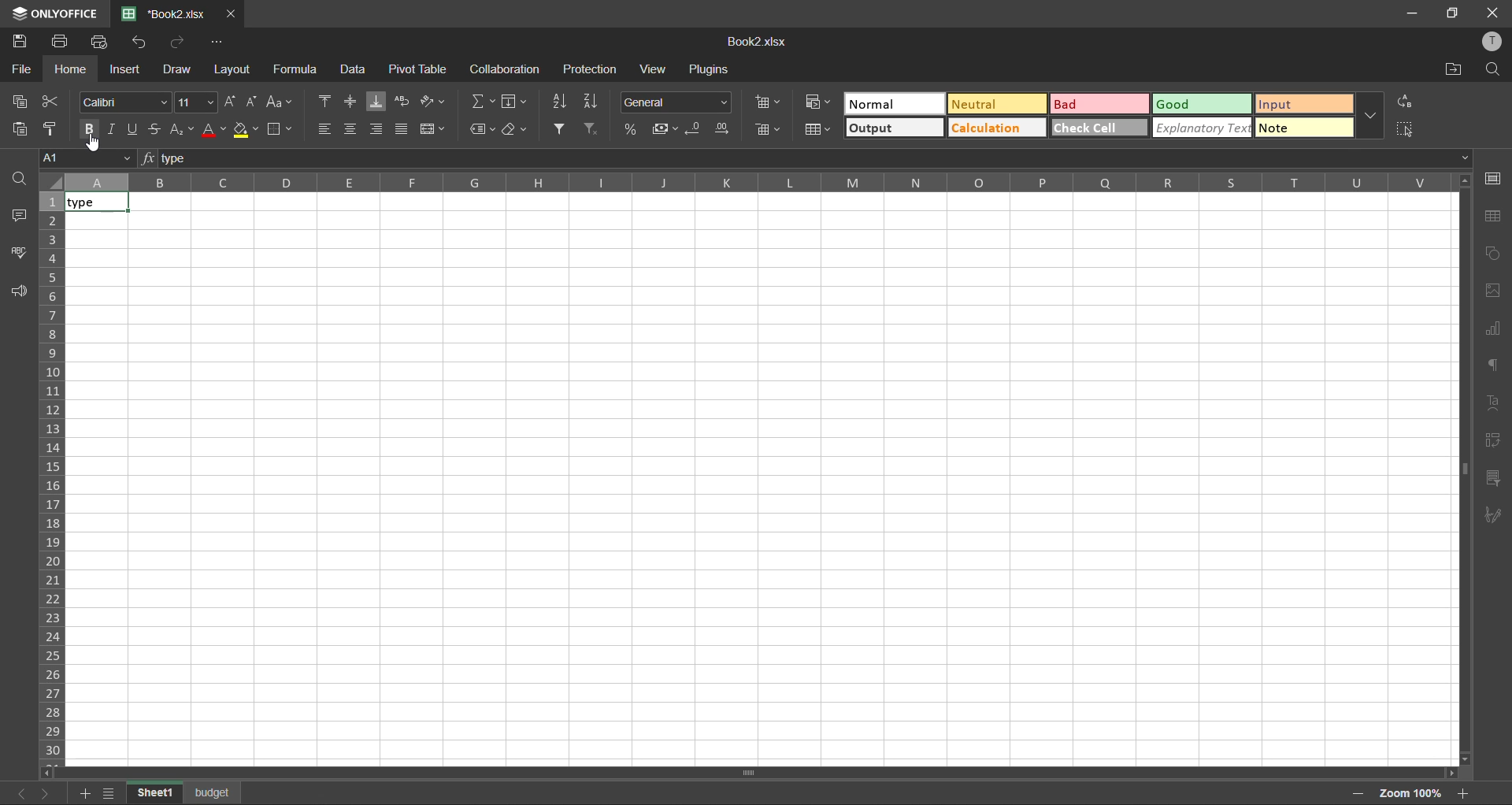  Describe the element at coordinates (1407, 129) in the screenshot. I see `select all` at that location.